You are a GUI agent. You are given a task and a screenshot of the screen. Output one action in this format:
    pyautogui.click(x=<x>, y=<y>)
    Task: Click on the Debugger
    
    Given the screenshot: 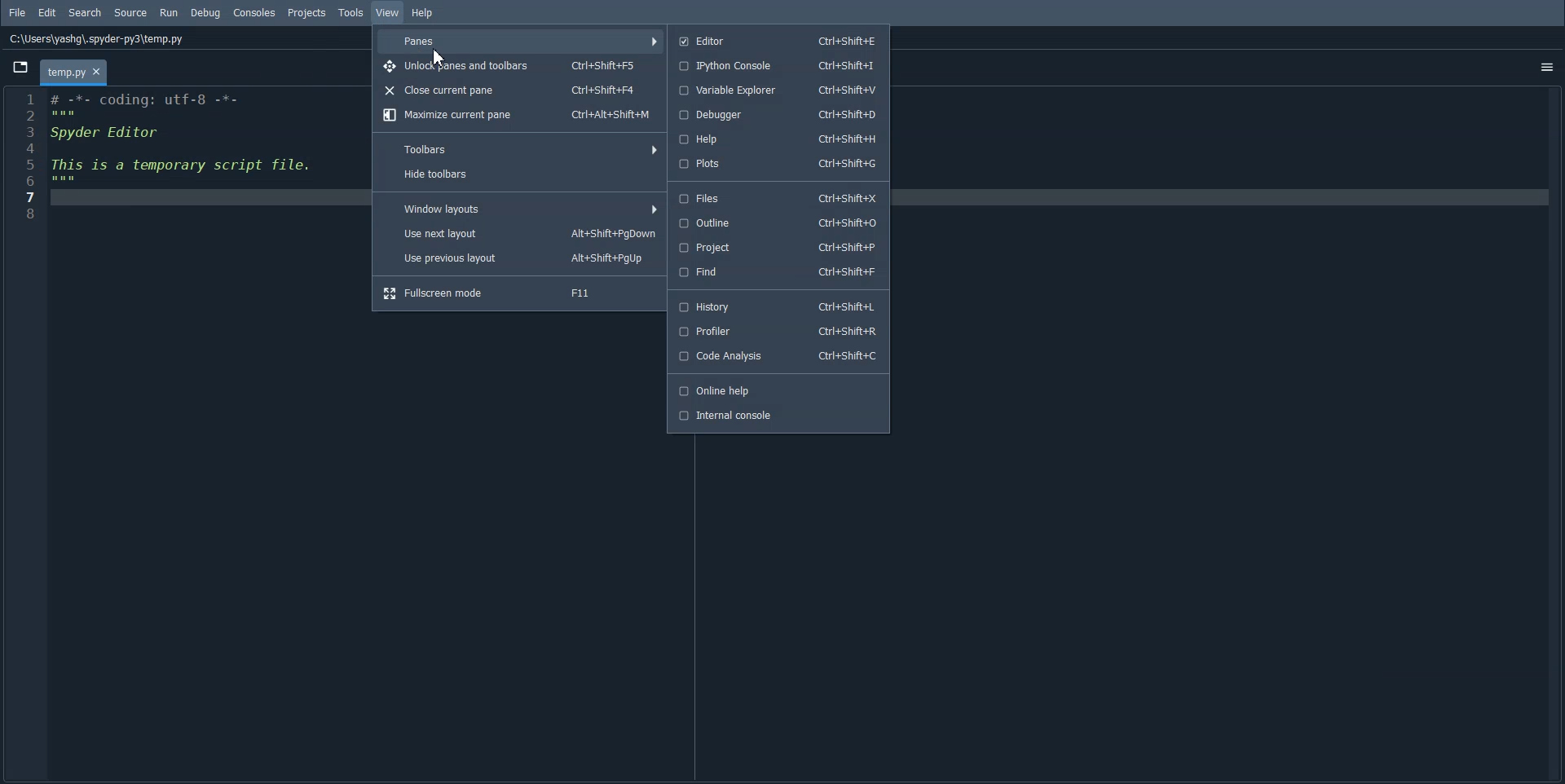 What is the action you would take?
    pyautogui.click(x=778, y=116)
    